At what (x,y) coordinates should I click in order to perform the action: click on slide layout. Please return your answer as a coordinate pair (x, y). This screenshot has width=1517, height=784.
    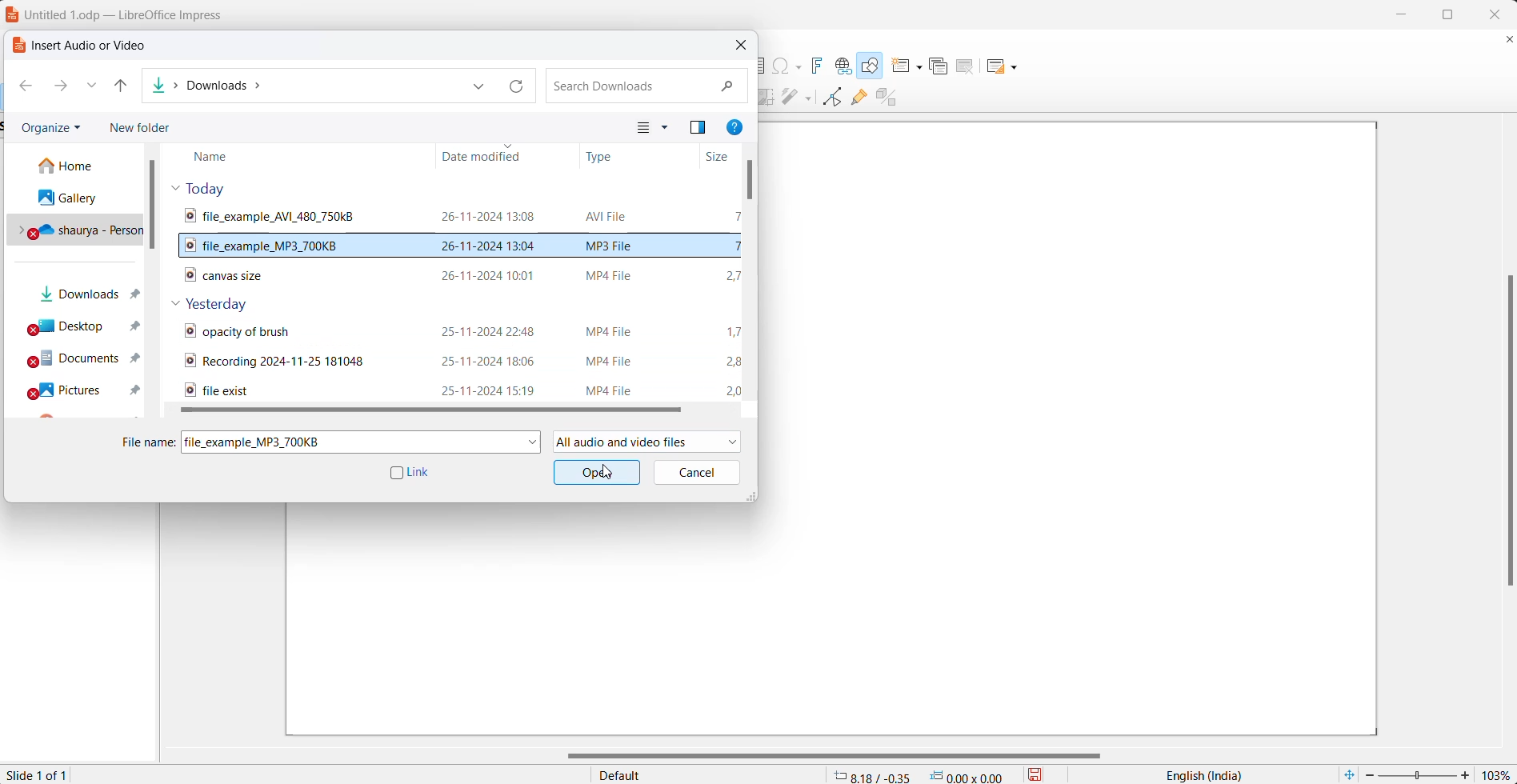
    Looking at the image, I should click on (993, 66).